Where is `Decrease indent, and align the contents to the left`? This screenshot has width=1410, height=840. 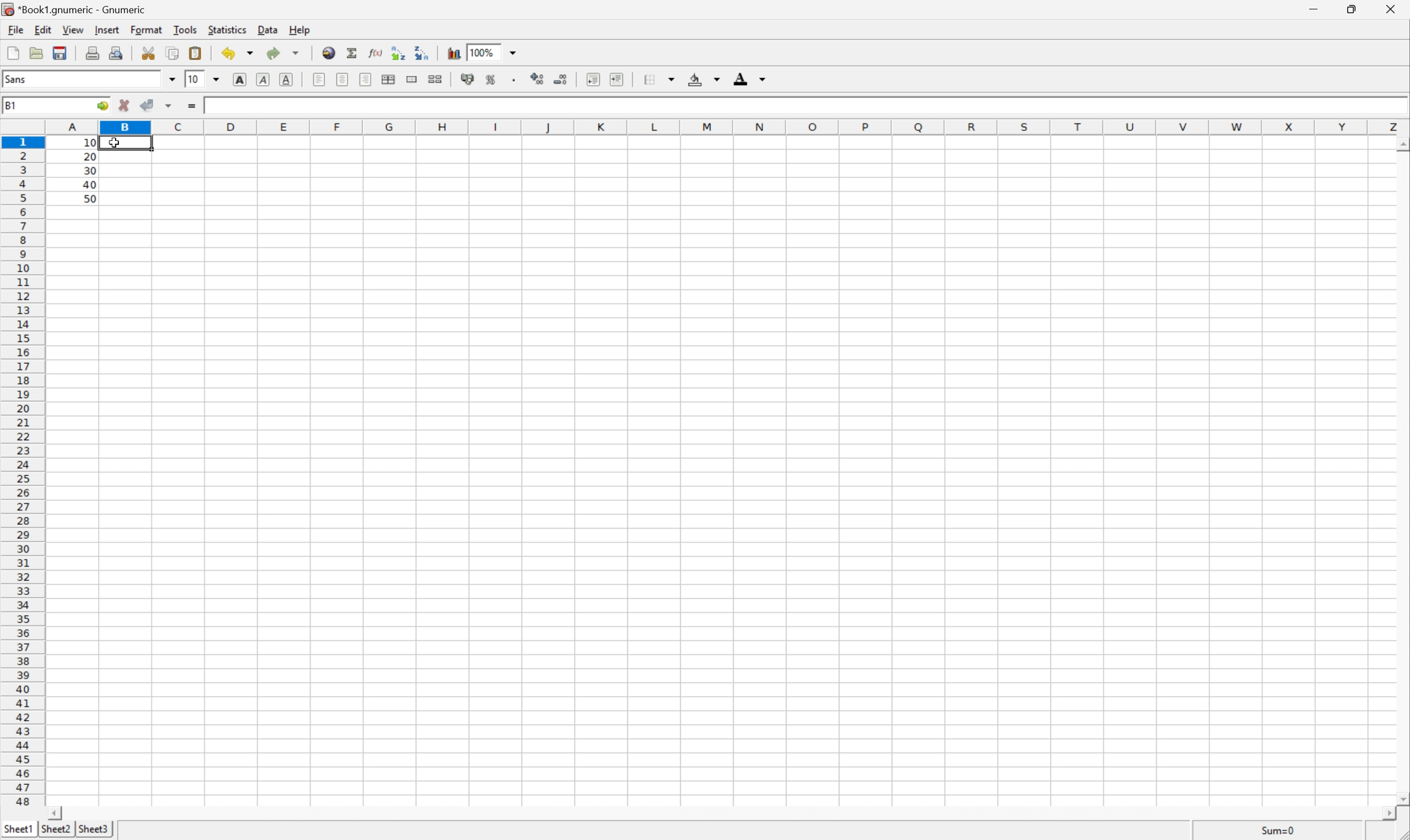
Decrease indent, and align the contents to the left is located at coordinates (593, 78).